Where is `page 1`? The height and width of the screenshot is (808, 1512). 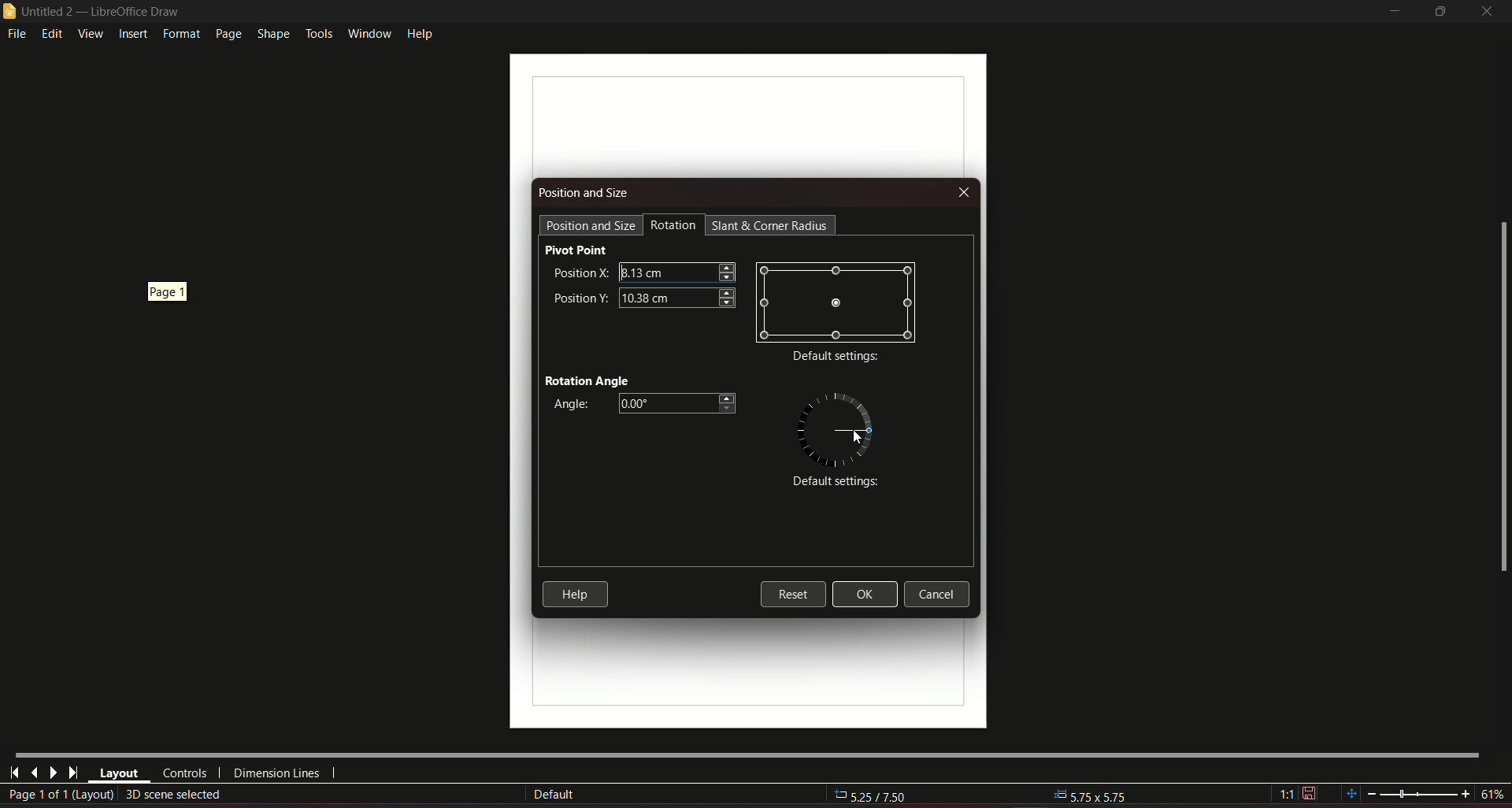 page 1 is located at coordinates (164, 293).